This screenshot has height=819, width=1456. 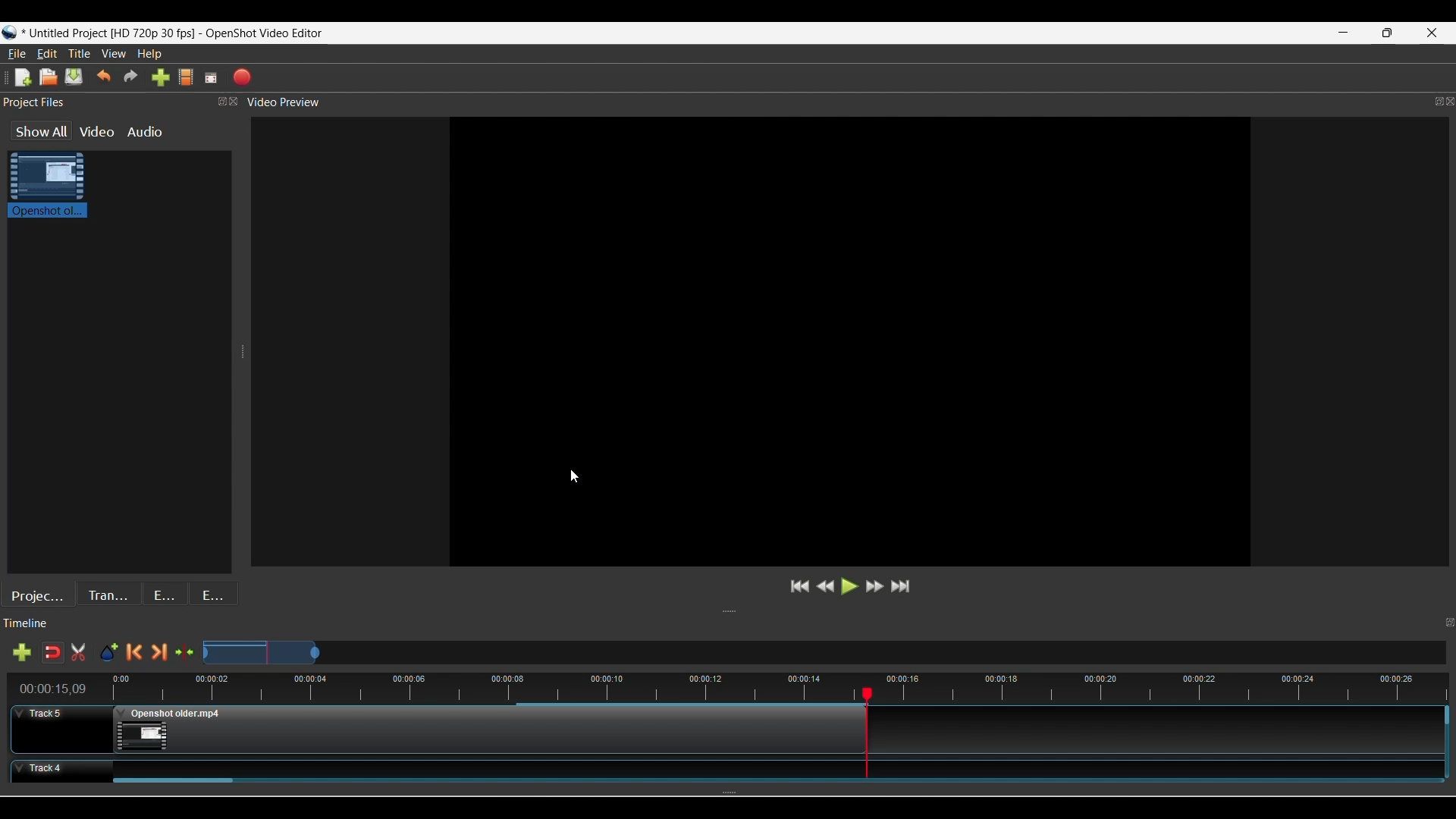 What do you see at coordinates (575, 477) in the screenshot?
I see `Cursor position unchanged after saving project` at bounding box center [575, 477].